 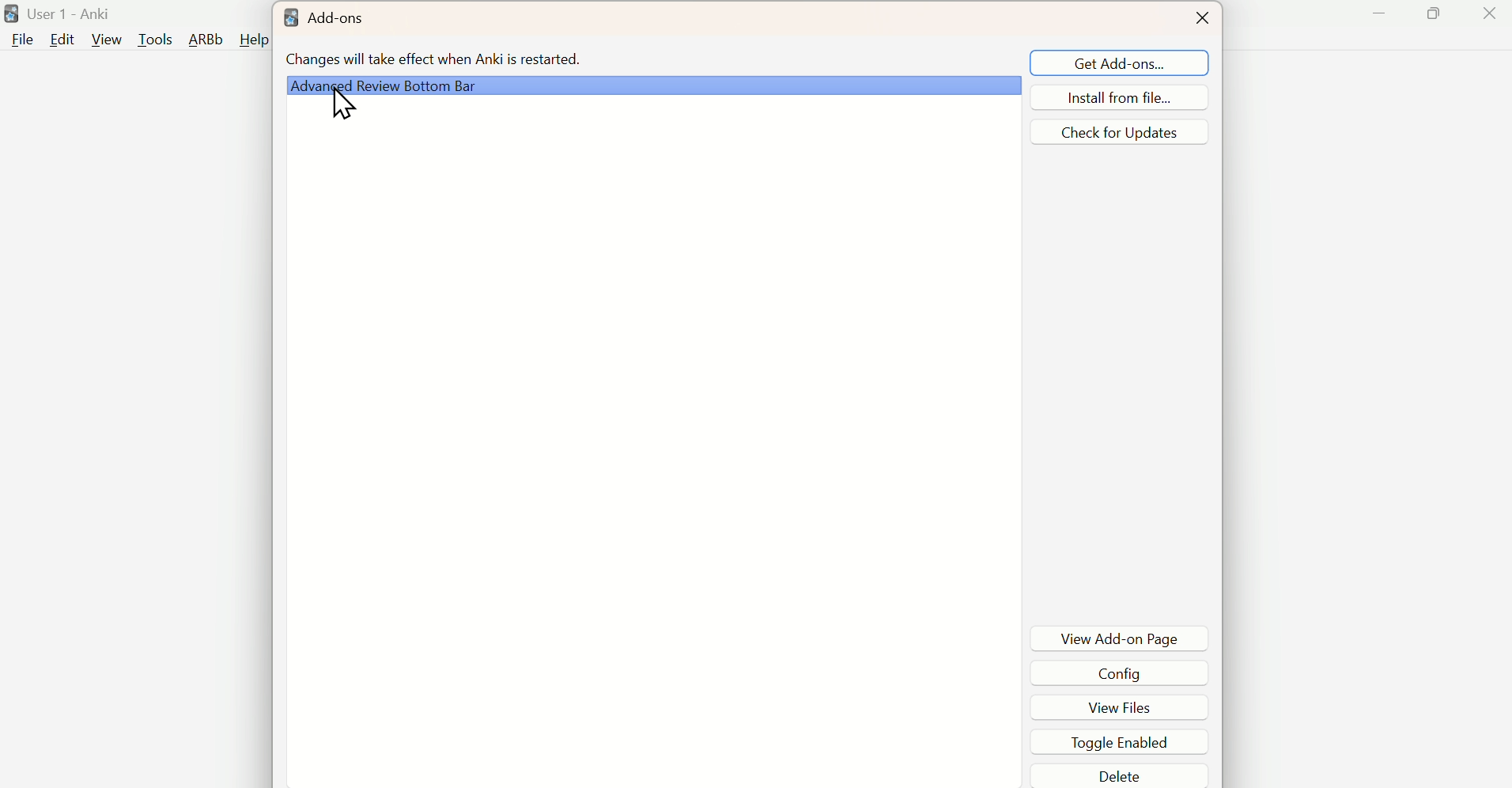 What do you see at coordinates (1114, 63) in the screenshot?
I see `Get Add-ons...` at bounding box center [1114, 63].